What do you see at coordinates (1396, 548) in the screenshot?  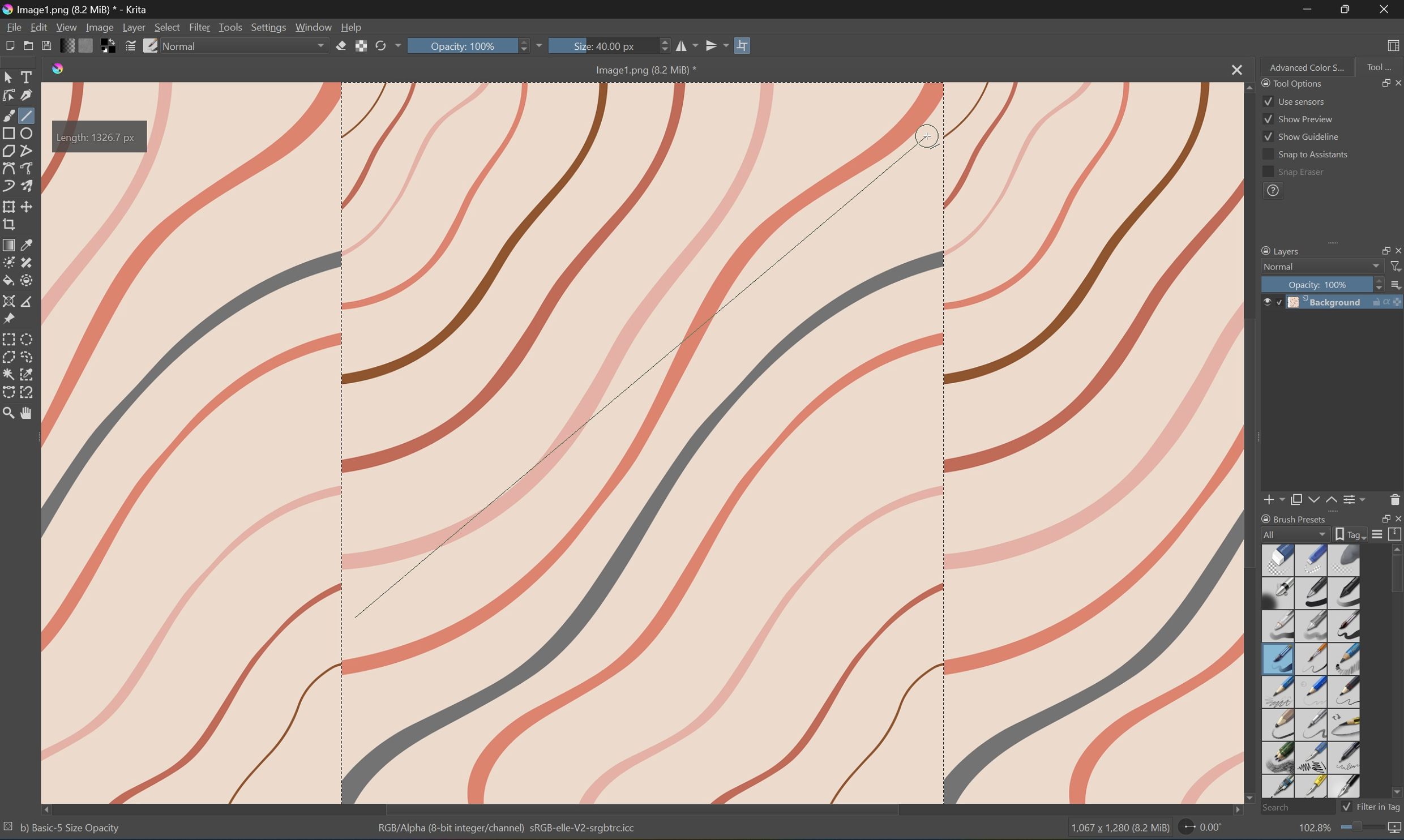 I see `Scroll Up` at bounding box center [1396, 548].